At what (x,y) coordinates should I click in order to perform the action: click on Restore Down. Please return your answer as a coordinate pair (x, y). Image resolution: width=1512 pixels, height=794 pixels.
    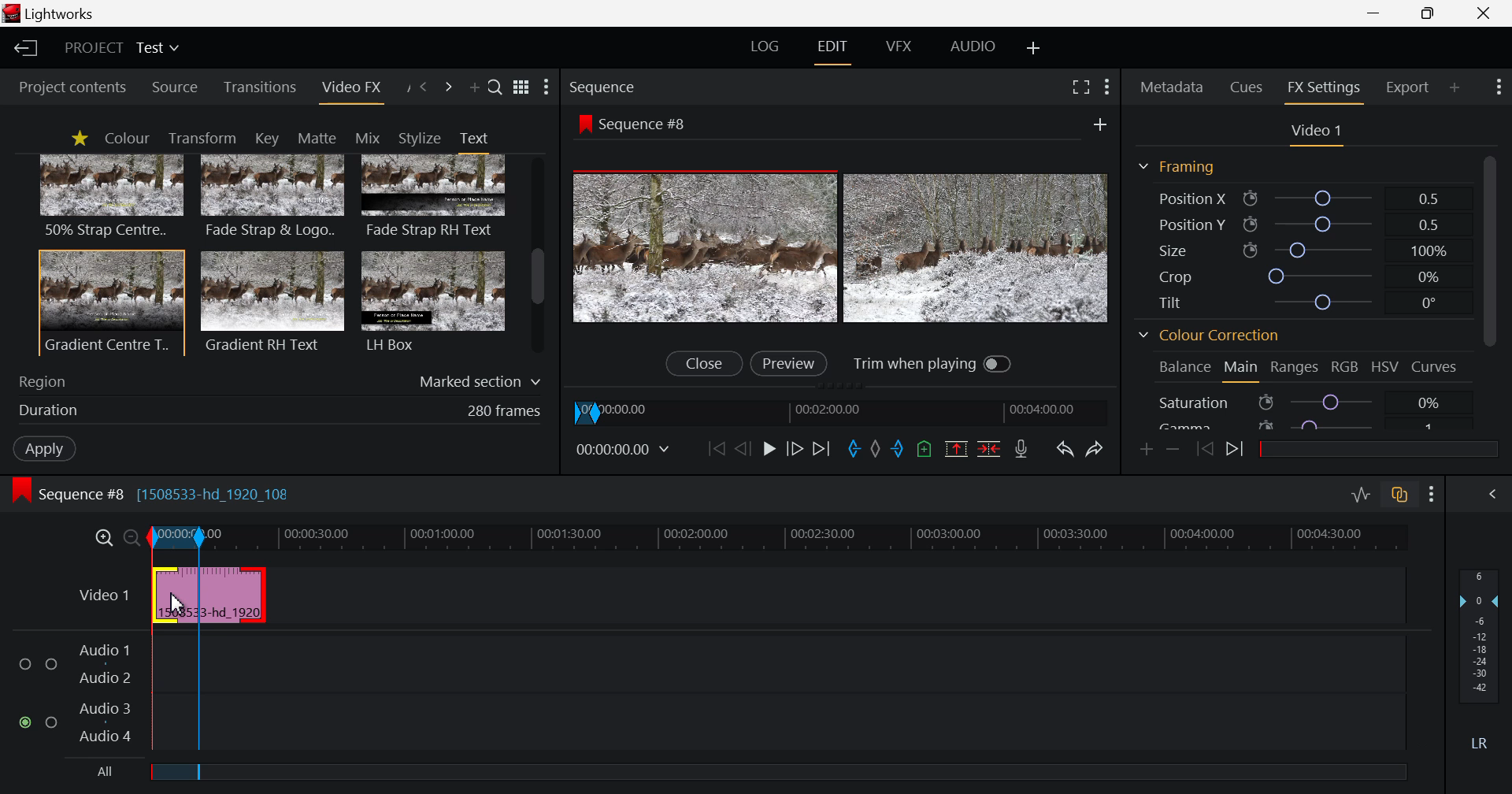
    Looking at the image, I should click on (1377, 13).